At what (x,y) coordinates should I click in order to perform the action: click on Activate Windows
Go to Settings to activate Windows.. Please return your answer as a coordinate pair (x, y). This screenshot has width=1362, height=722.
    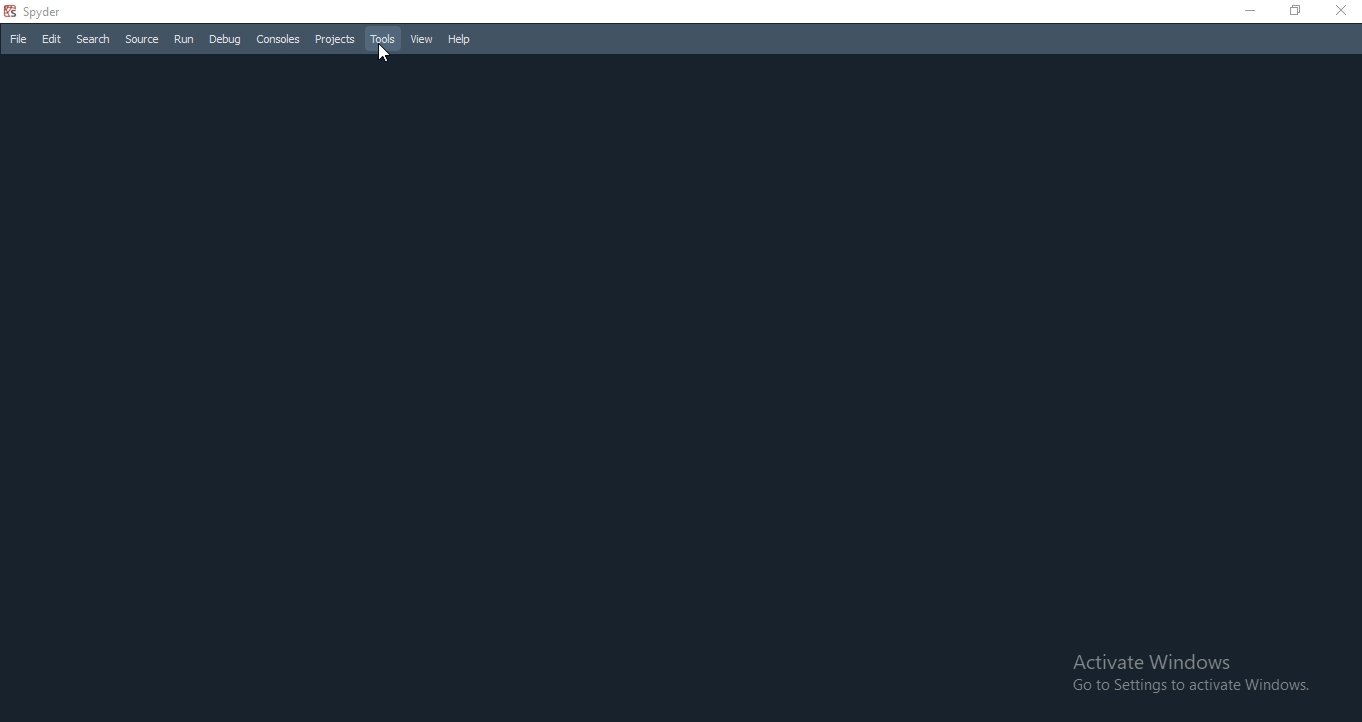
    Looking at the image, I should click on (1187, 674).